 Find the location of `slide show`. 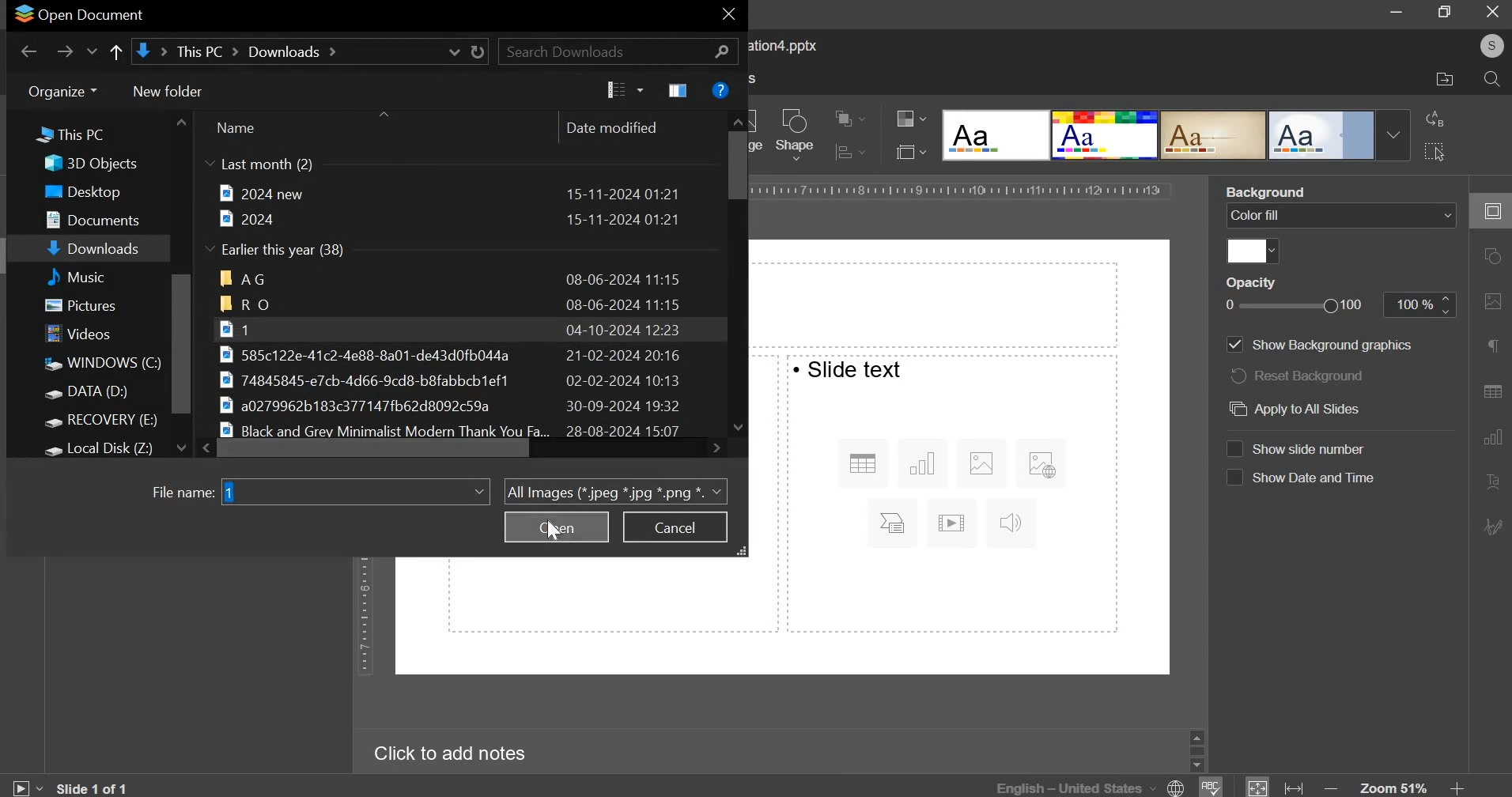

slide show is located at coordinates (25, 785).